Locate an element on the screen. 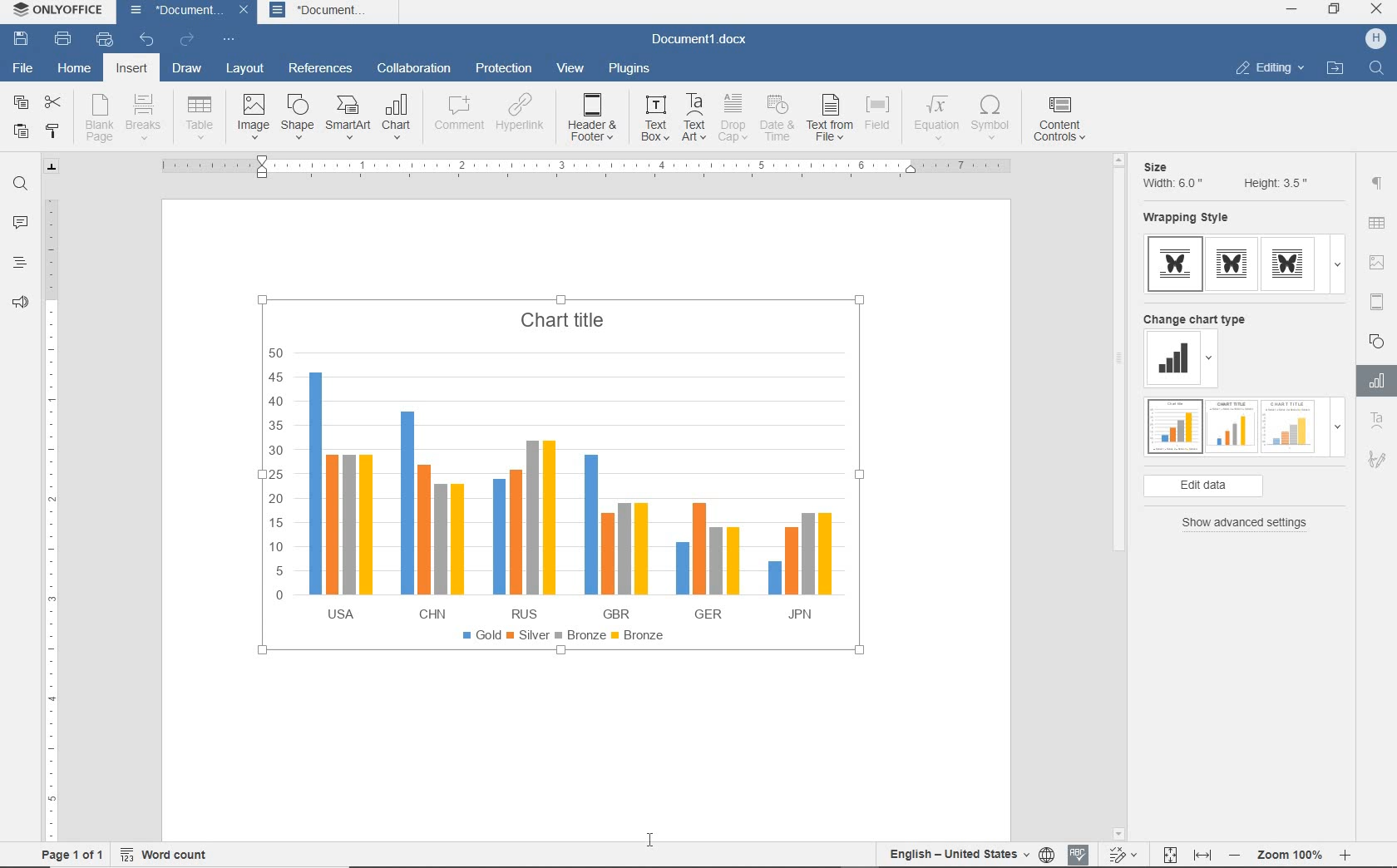 This screenshot has width=1397, height=868. Width: 6.0" is located at coordinates (1172, 183).